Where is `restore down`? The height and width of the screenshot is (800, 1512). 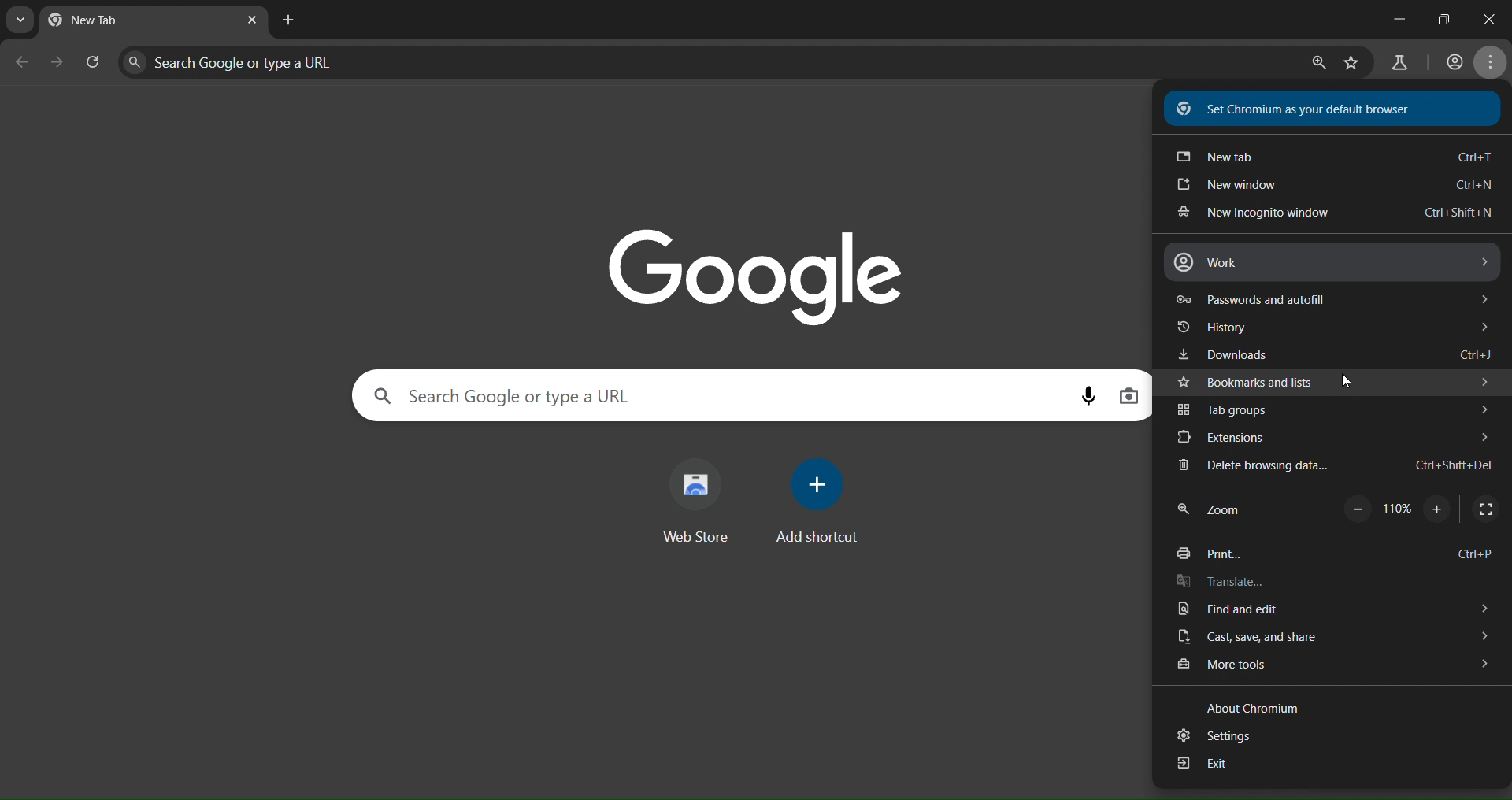
restore down is located at coordinates (1438, 19).